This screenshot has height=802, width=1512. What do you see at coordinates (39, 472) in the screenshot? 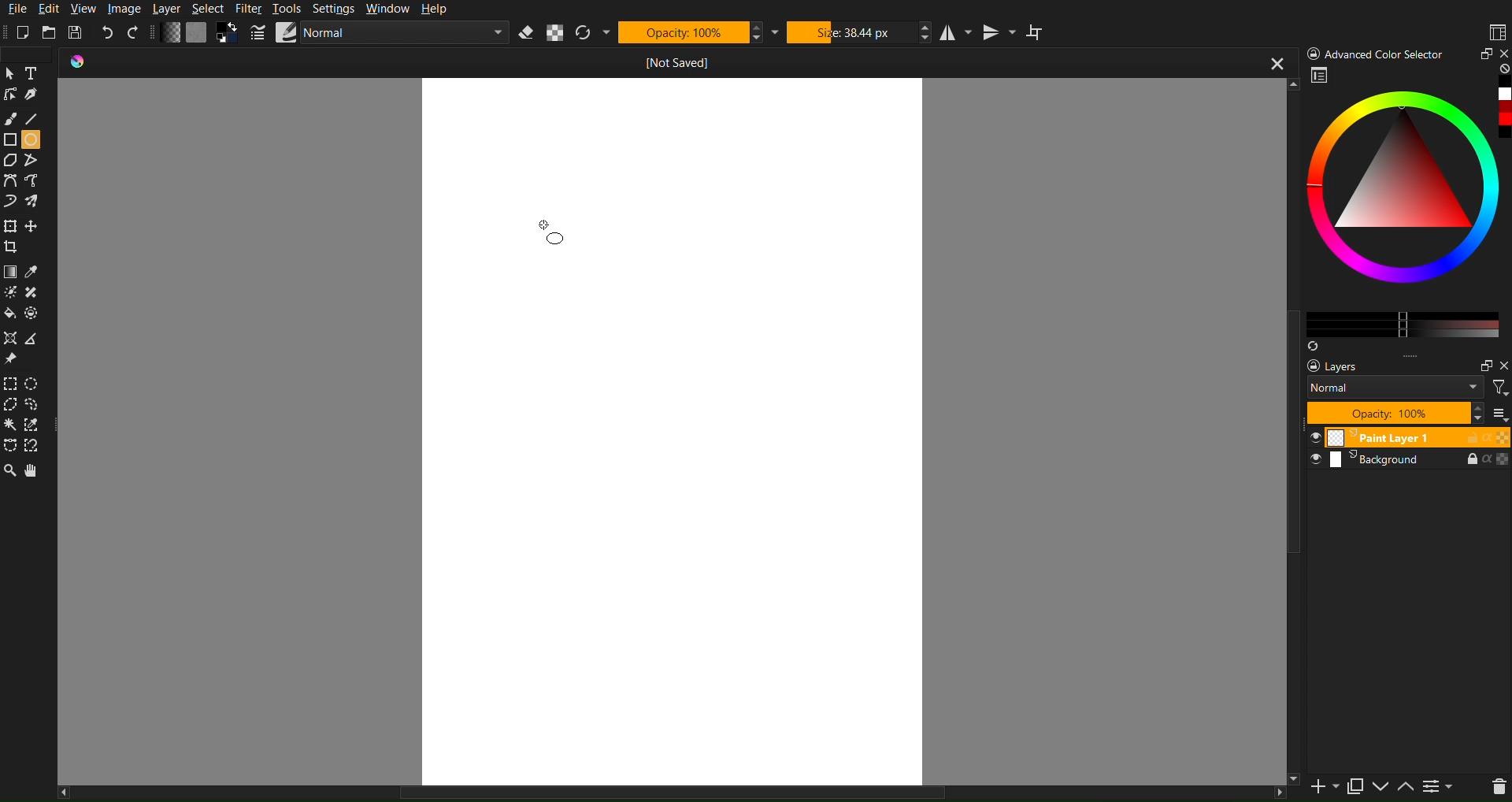
I see `Pan` at bounding box center [39, 472].